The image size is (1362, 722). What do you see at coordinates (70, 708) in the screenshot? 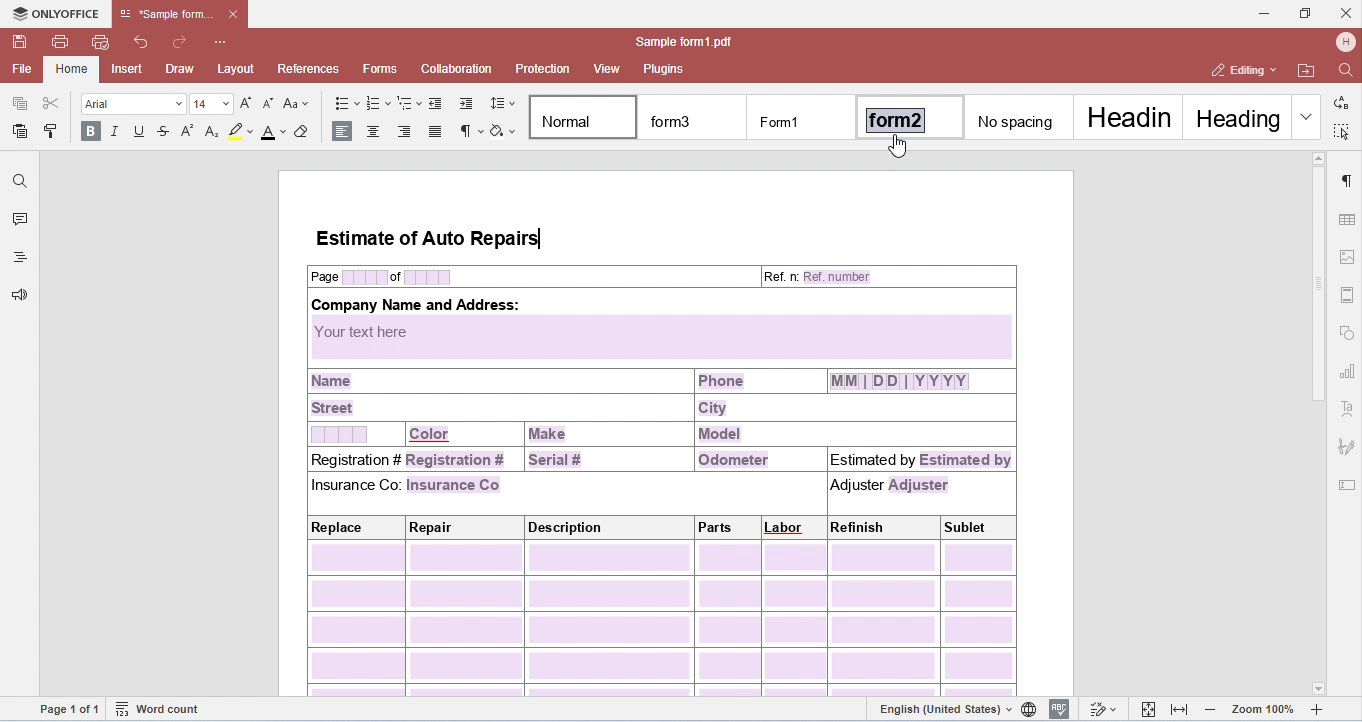
I see `page 1 of 1` at bounding box center [70, 708].